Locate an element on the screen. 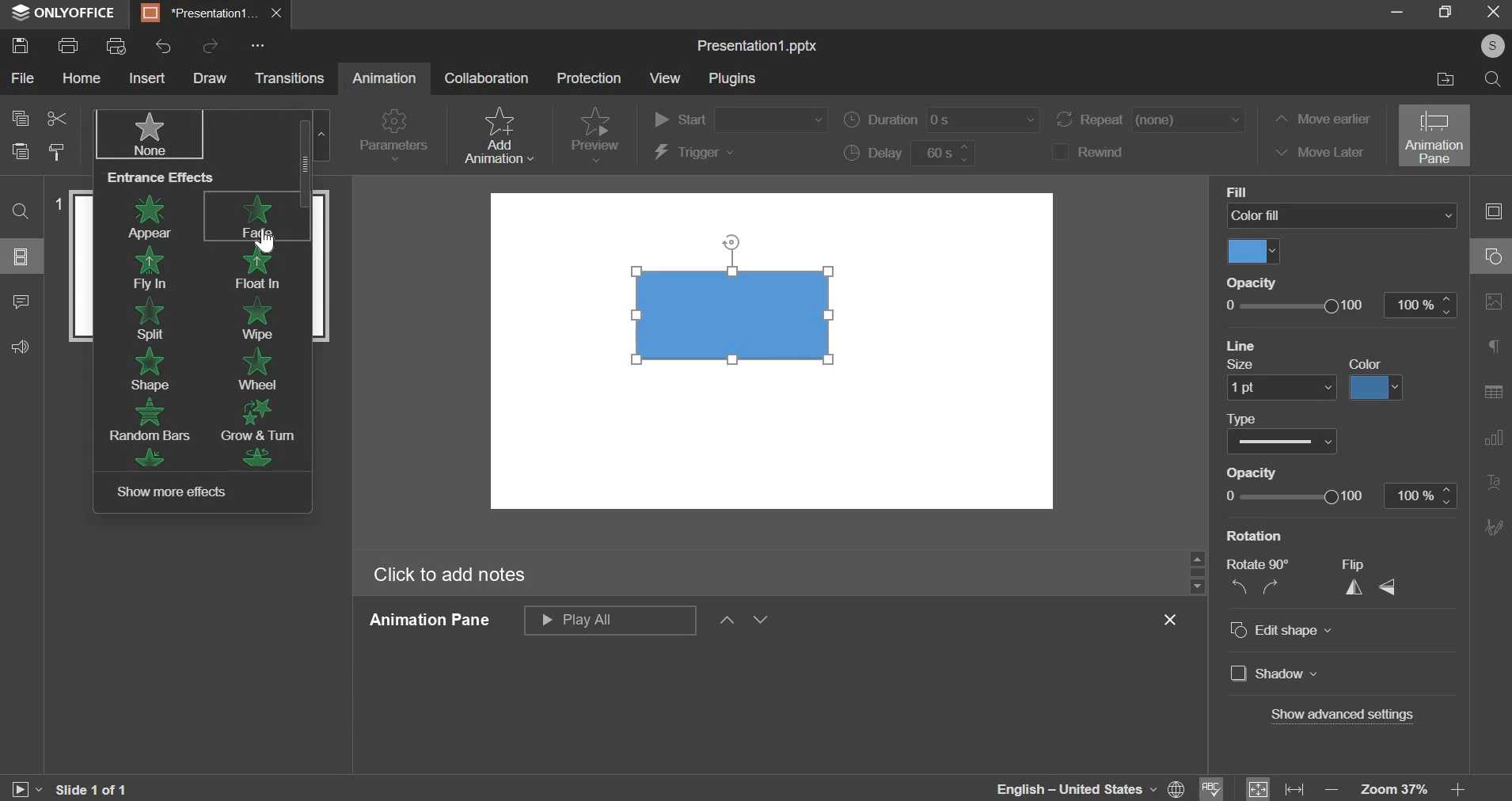 Image resolution: width=1512 pixels, height=801 pixels. transitions is located at coordinates (291, 80).